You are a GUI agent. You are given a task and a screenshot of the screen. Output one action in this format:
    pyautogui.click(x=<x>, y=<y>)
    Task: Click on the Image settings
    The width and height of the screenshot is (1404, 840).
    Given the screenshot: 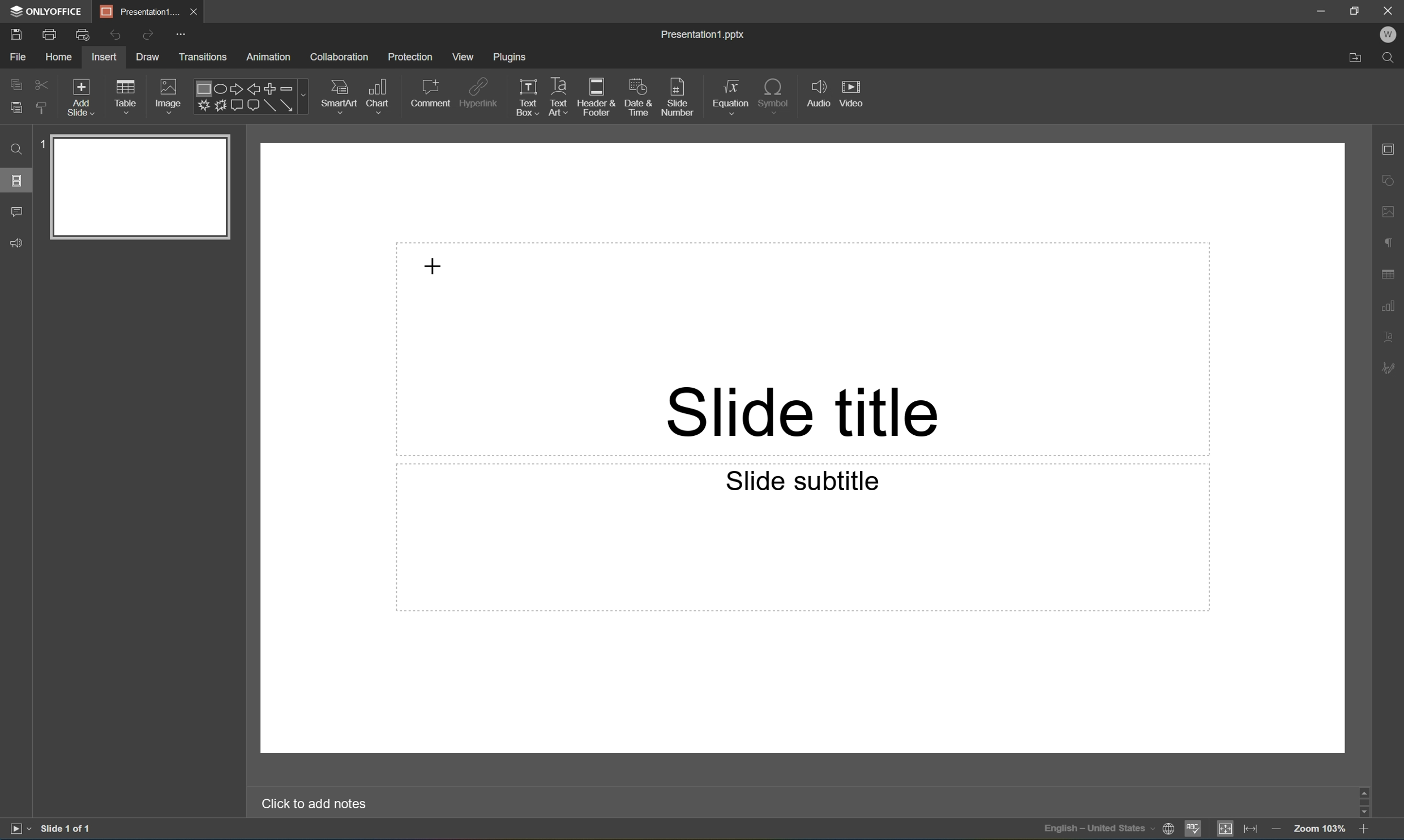 What is the action you would take?
    pyautogui.click(x=1392, y=209)
    